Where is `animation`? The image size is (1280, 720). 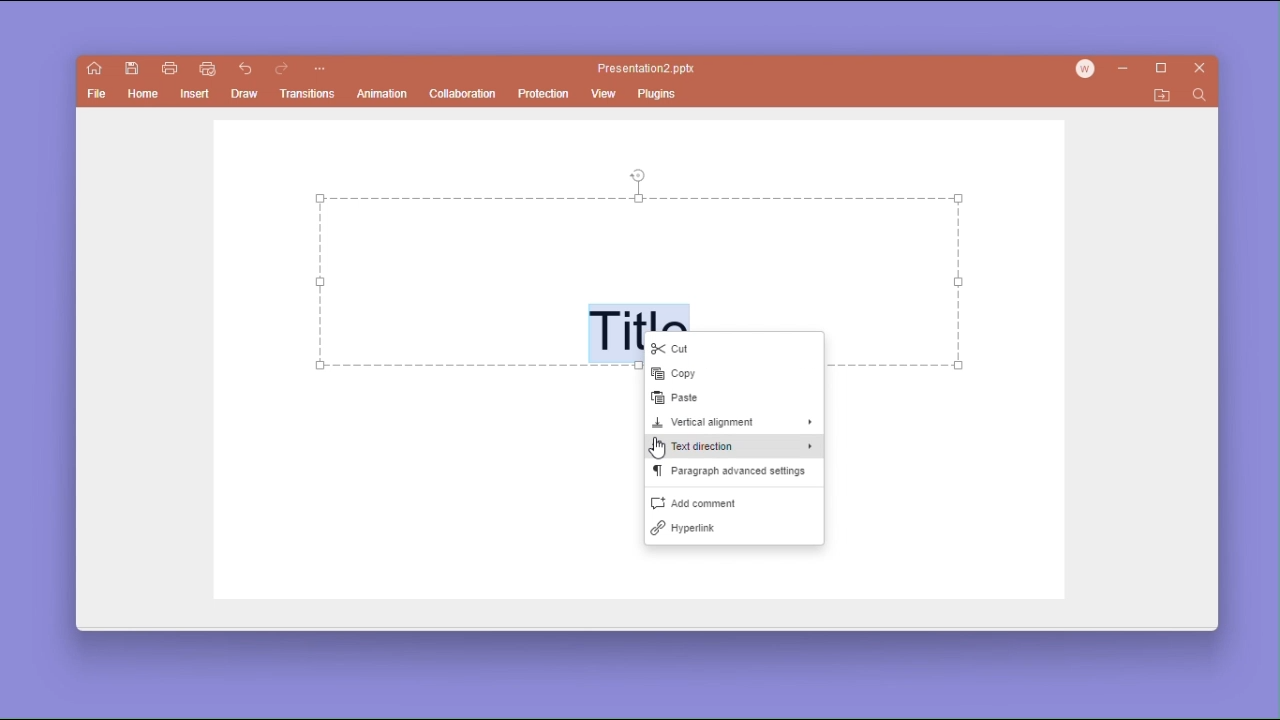
animation is located at coordinates (383, 95).